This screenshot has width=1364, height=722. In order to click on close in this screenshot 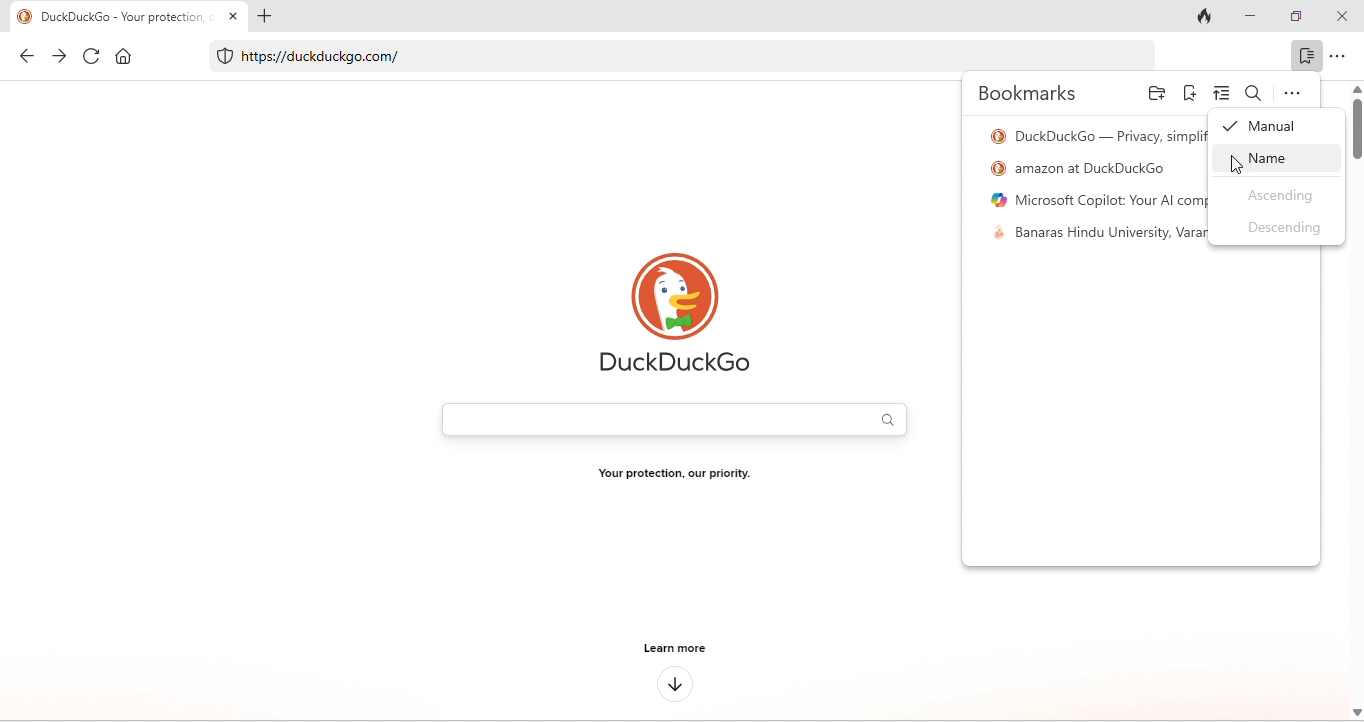, I will do `click(1345, 18)`.